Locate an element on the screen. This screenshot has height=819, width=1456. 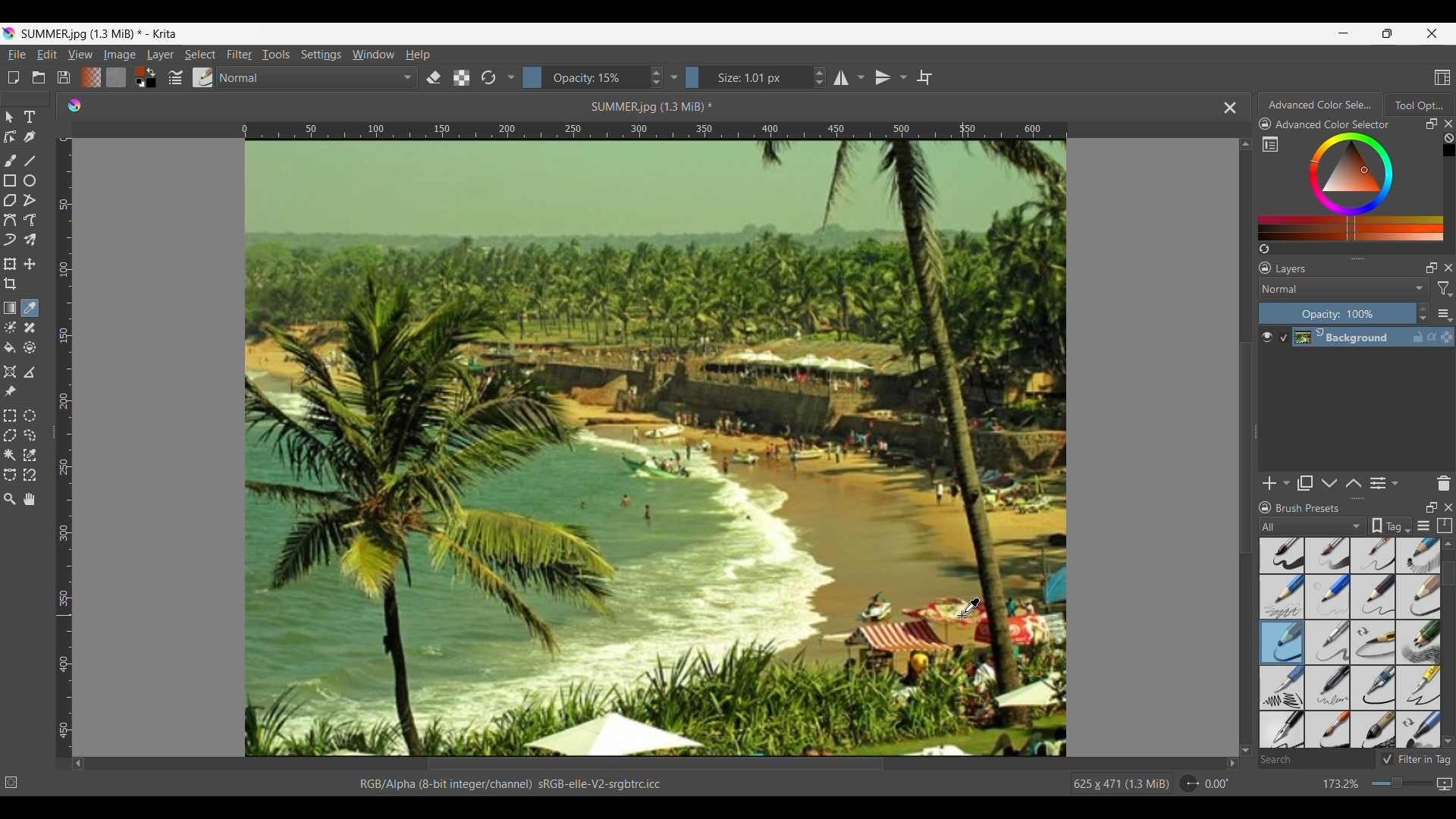
173.2% is located at coordinates (1341, 785).